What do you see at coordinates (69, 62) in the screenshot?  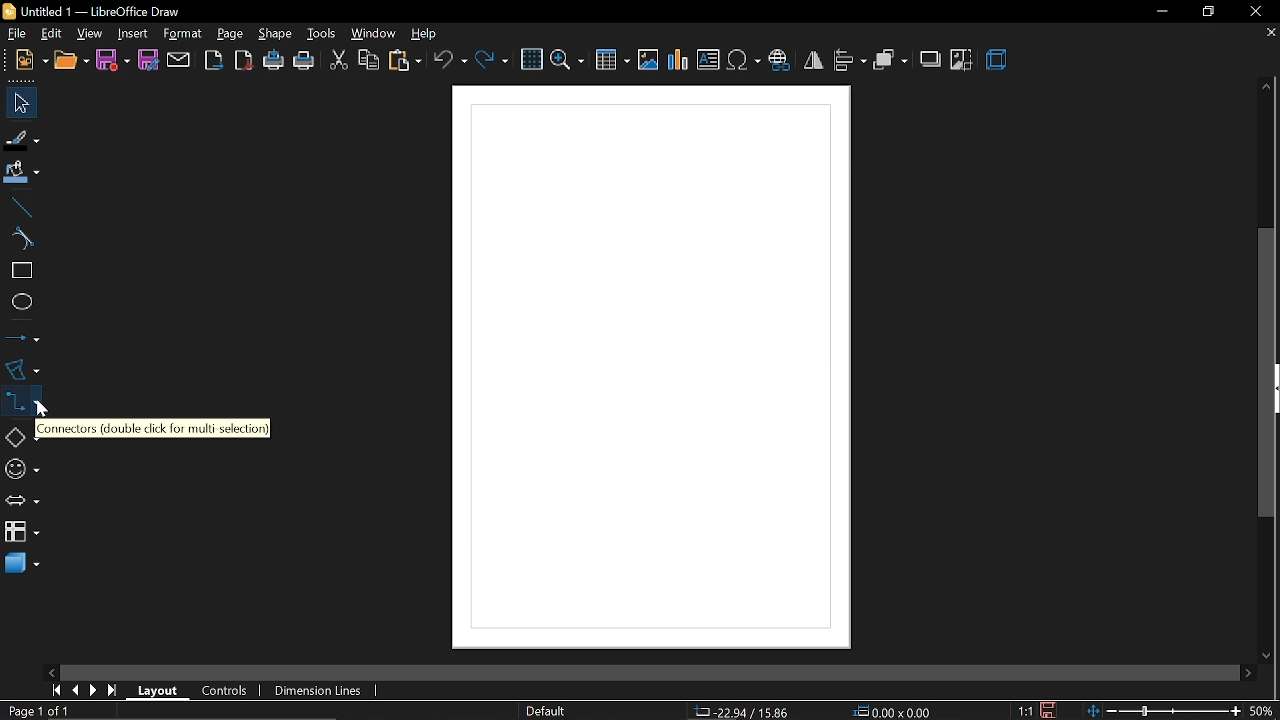 I see `open` at bounding box center [69, 62].